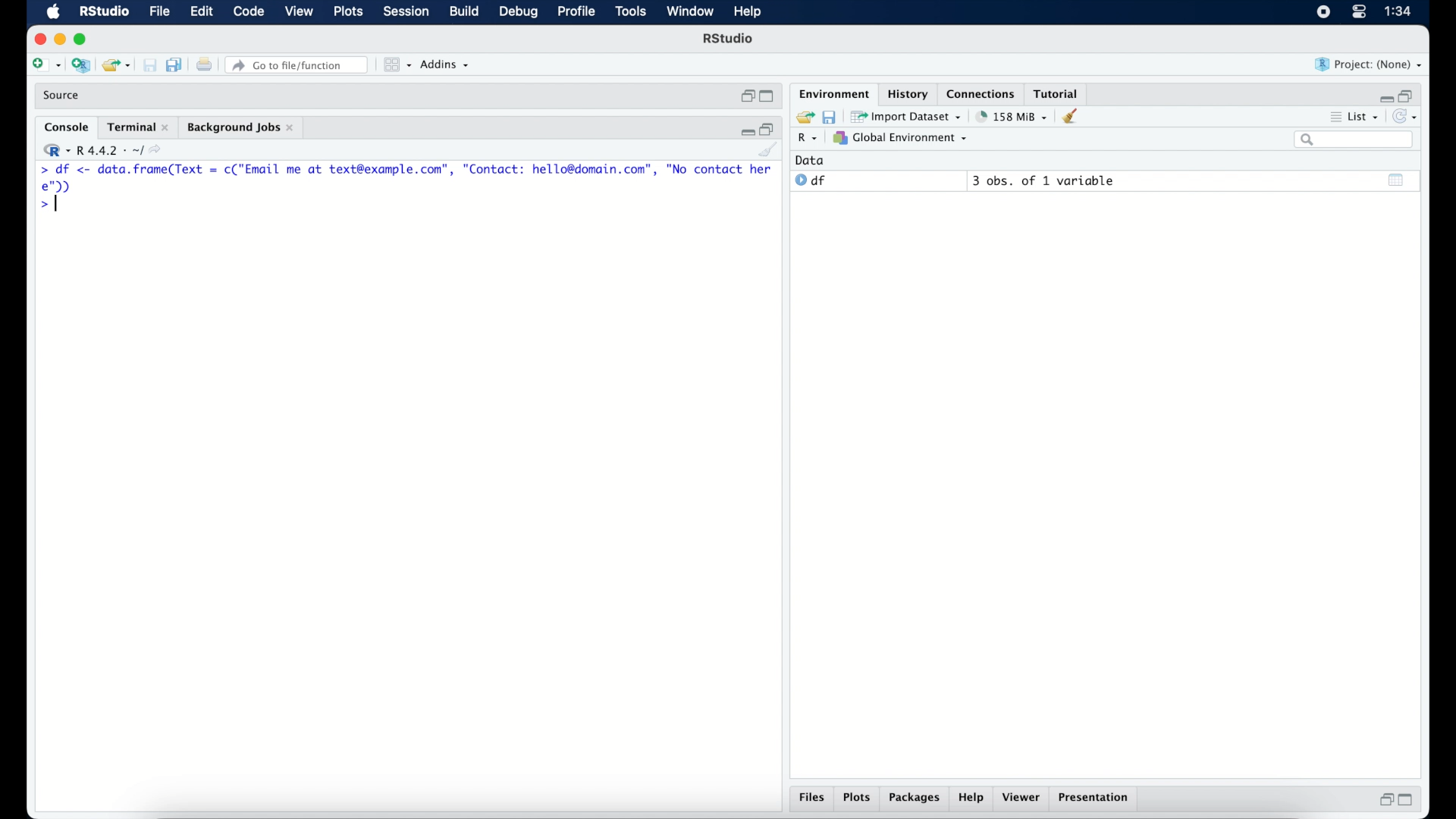 Image resolution: width=1456 pixels, height=819 pixels. I want to click on print, so click(203, 64).